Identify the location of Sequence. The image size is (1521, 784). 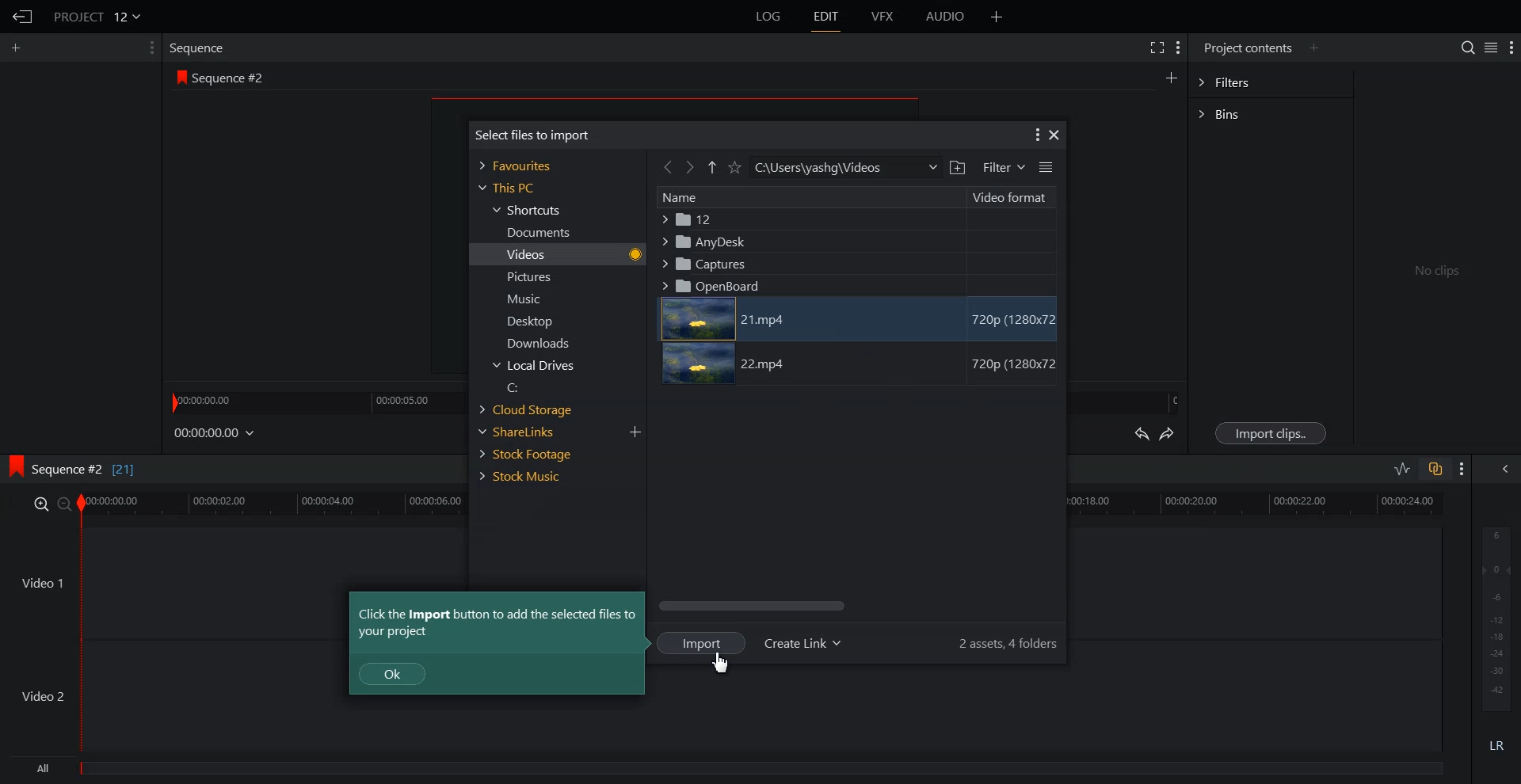
(200, 47).